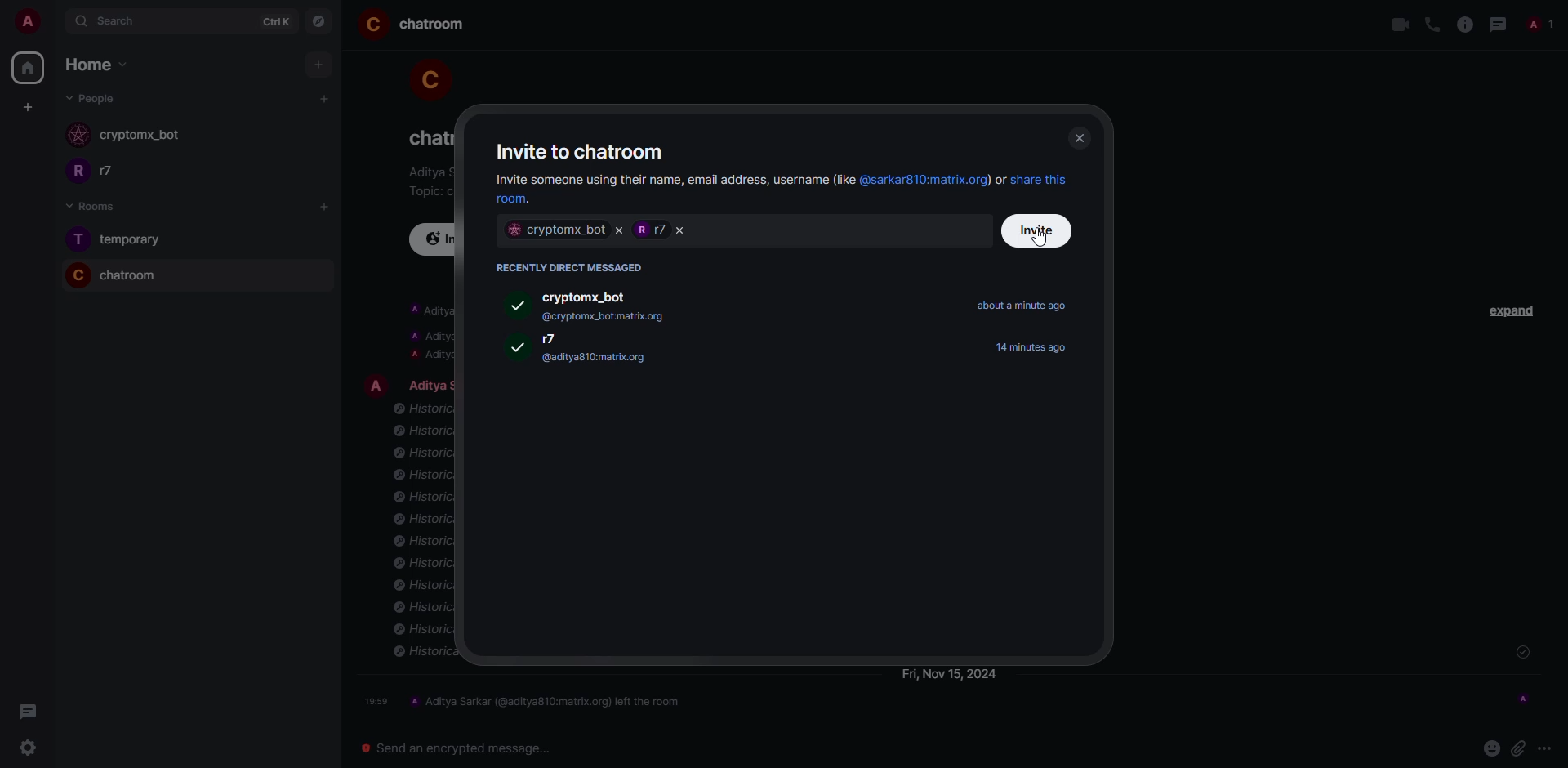 This screenshot has height=768, width=1568. Describe the element at coordinates (516, 305) in the screenshot. I see `selected` at that location.